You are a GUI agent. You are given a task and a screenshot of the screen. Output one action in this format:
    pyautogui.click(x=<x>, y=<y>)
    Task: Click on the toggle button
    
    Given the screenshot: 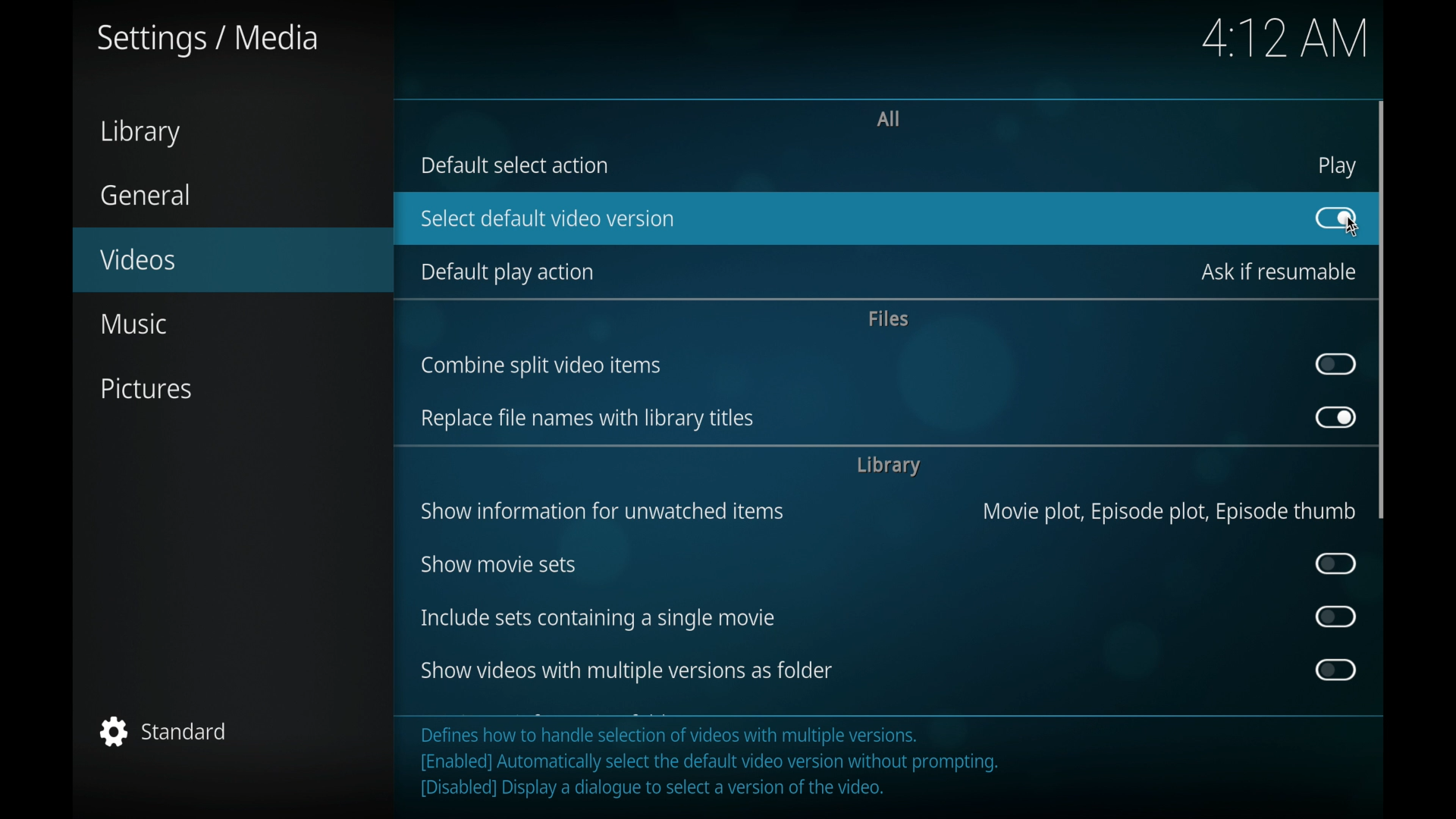 What is the action you would take?
    pyautogui.click(x=1338, y=366)
    